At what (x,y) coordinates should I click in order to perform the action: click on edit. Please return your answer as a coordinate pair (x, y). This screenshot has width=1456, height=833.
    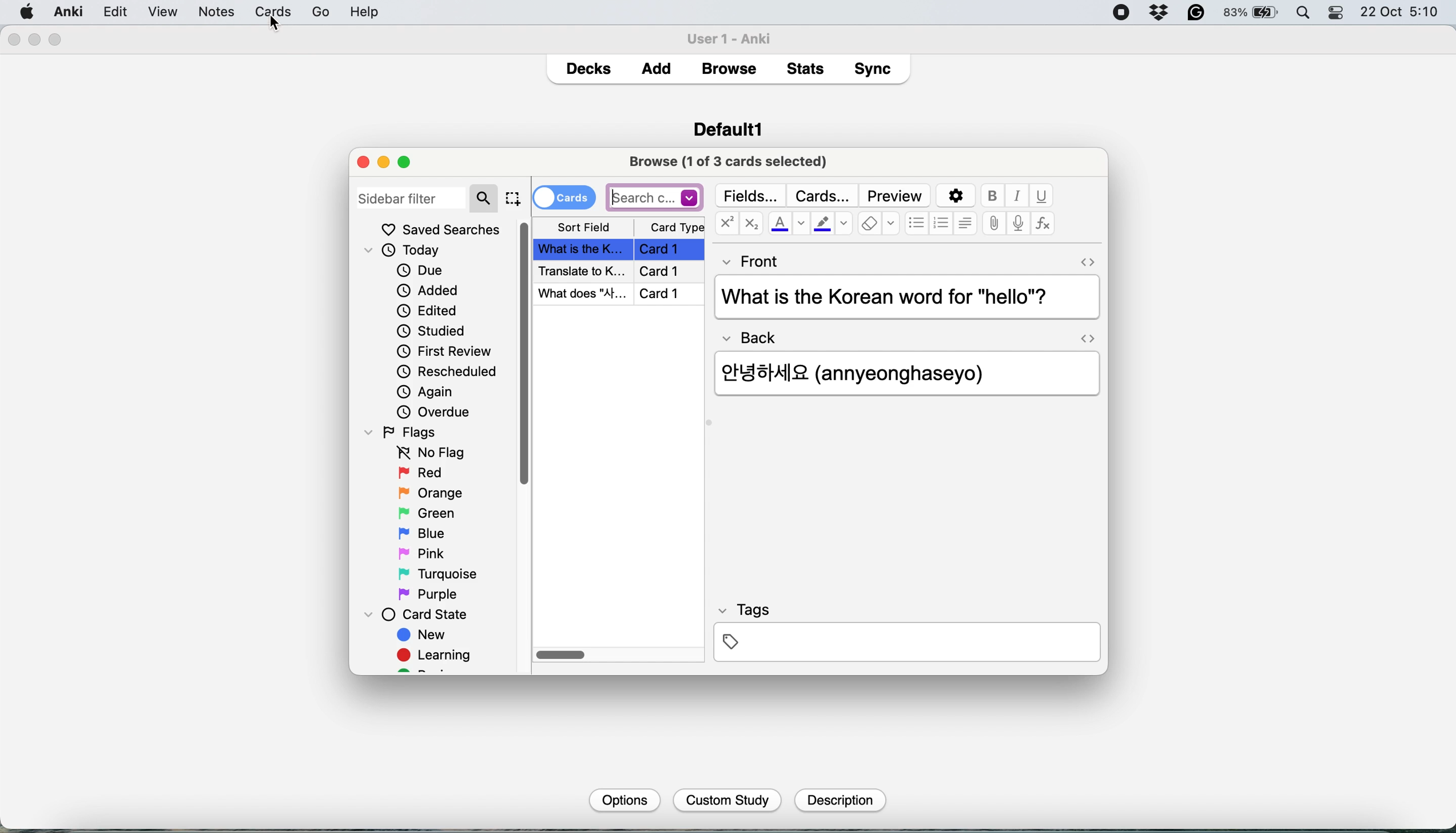
    Looking at the image, I should click on (162, 13).